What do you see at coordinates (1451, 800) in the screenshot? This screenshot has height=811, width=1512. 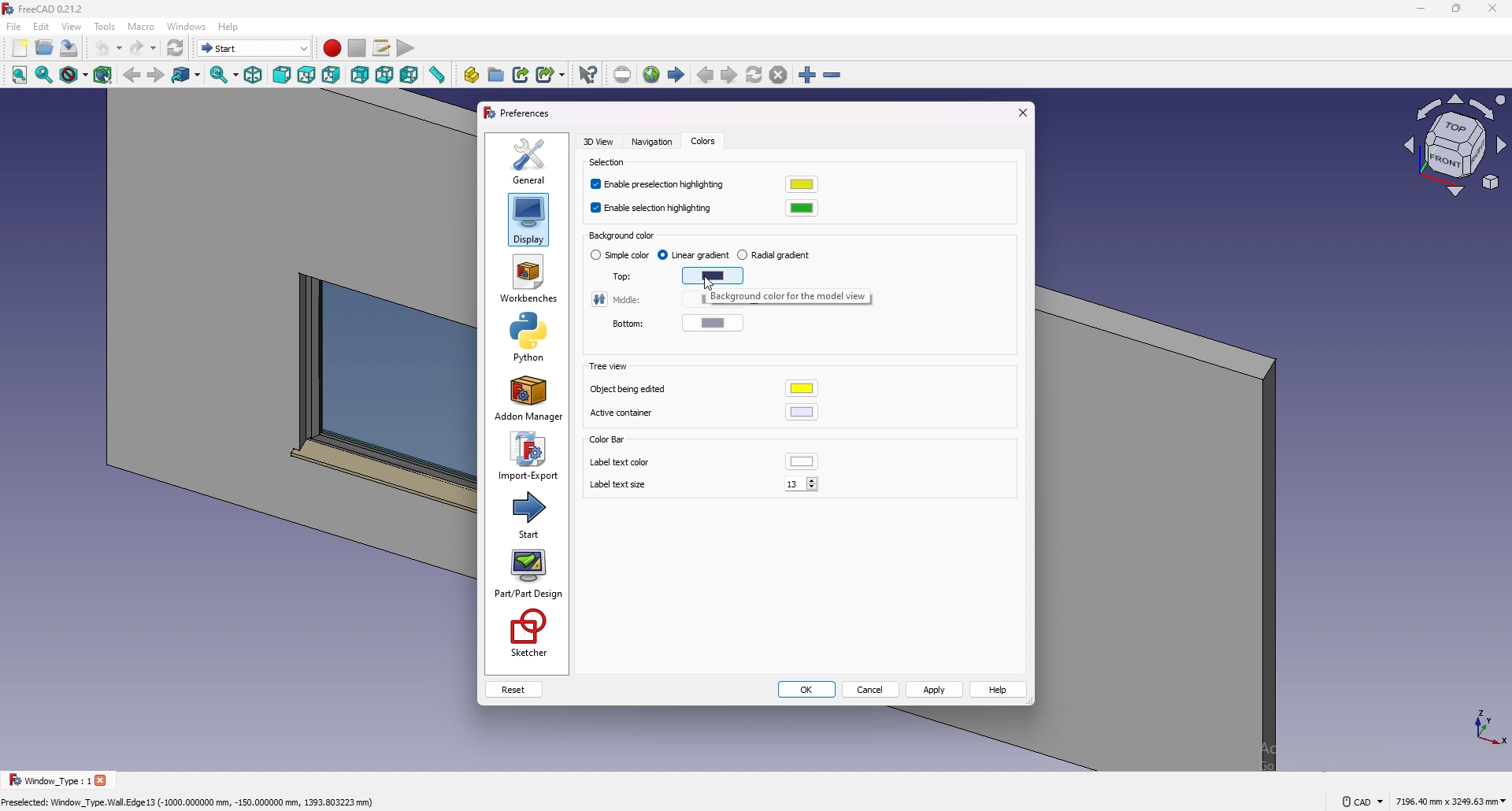 I see `7196.40 mm x 3243.63 mm ~~` at bounding box center [1451, 800].